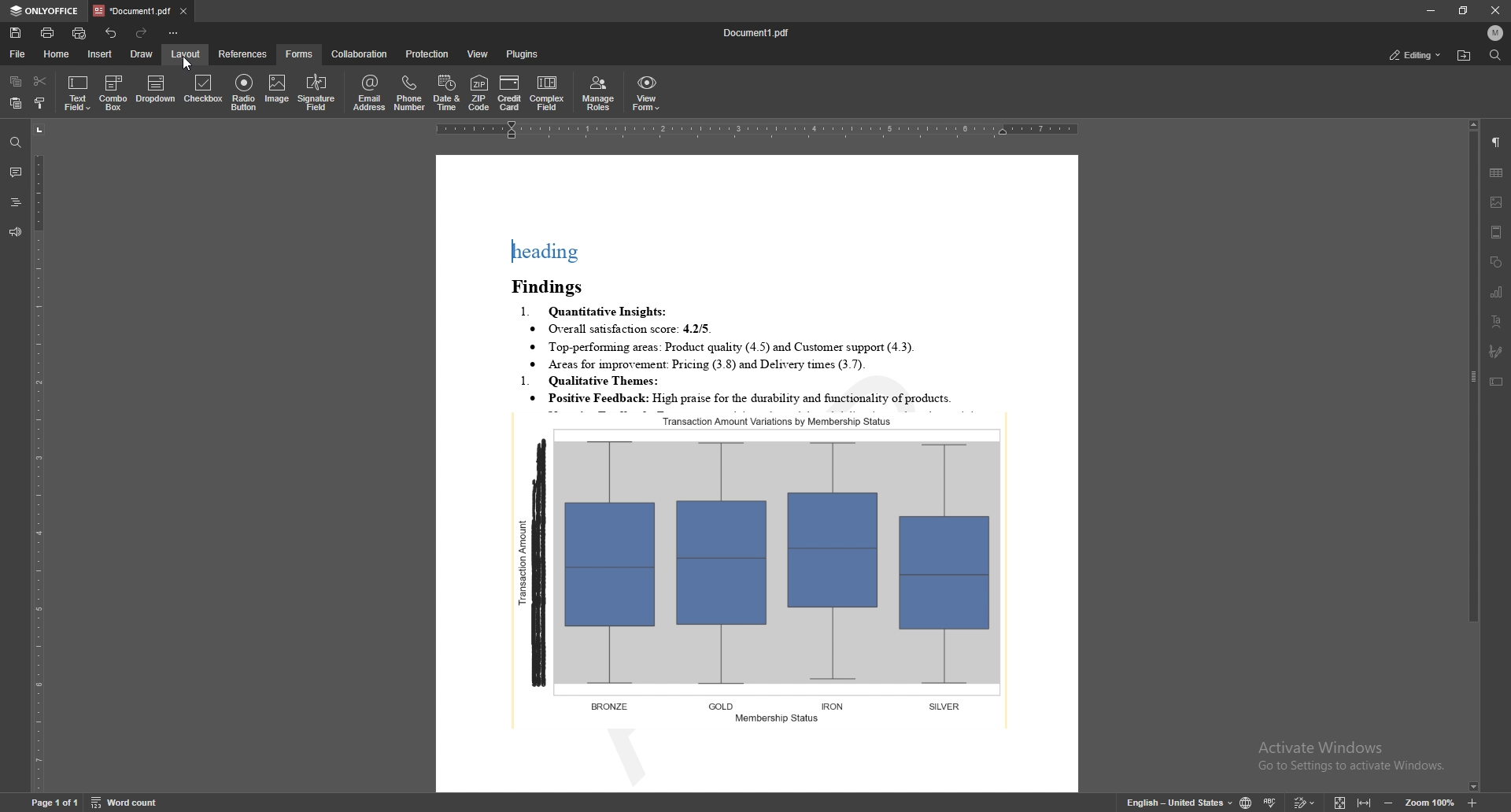  I want to click on phone number, so click(409, 94).